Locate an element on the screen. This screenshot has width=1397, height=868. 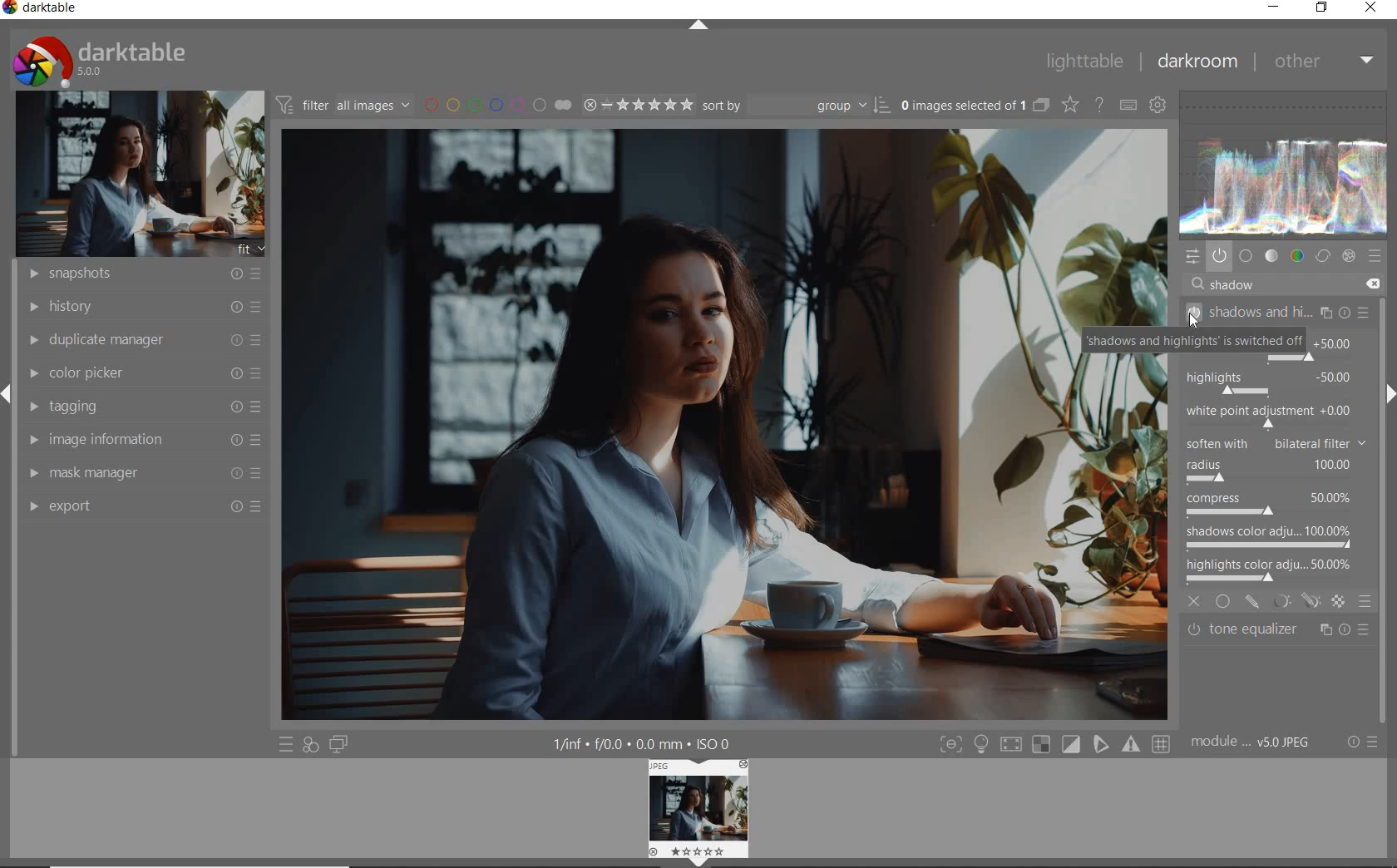
history is located at coordinates (141, 305).